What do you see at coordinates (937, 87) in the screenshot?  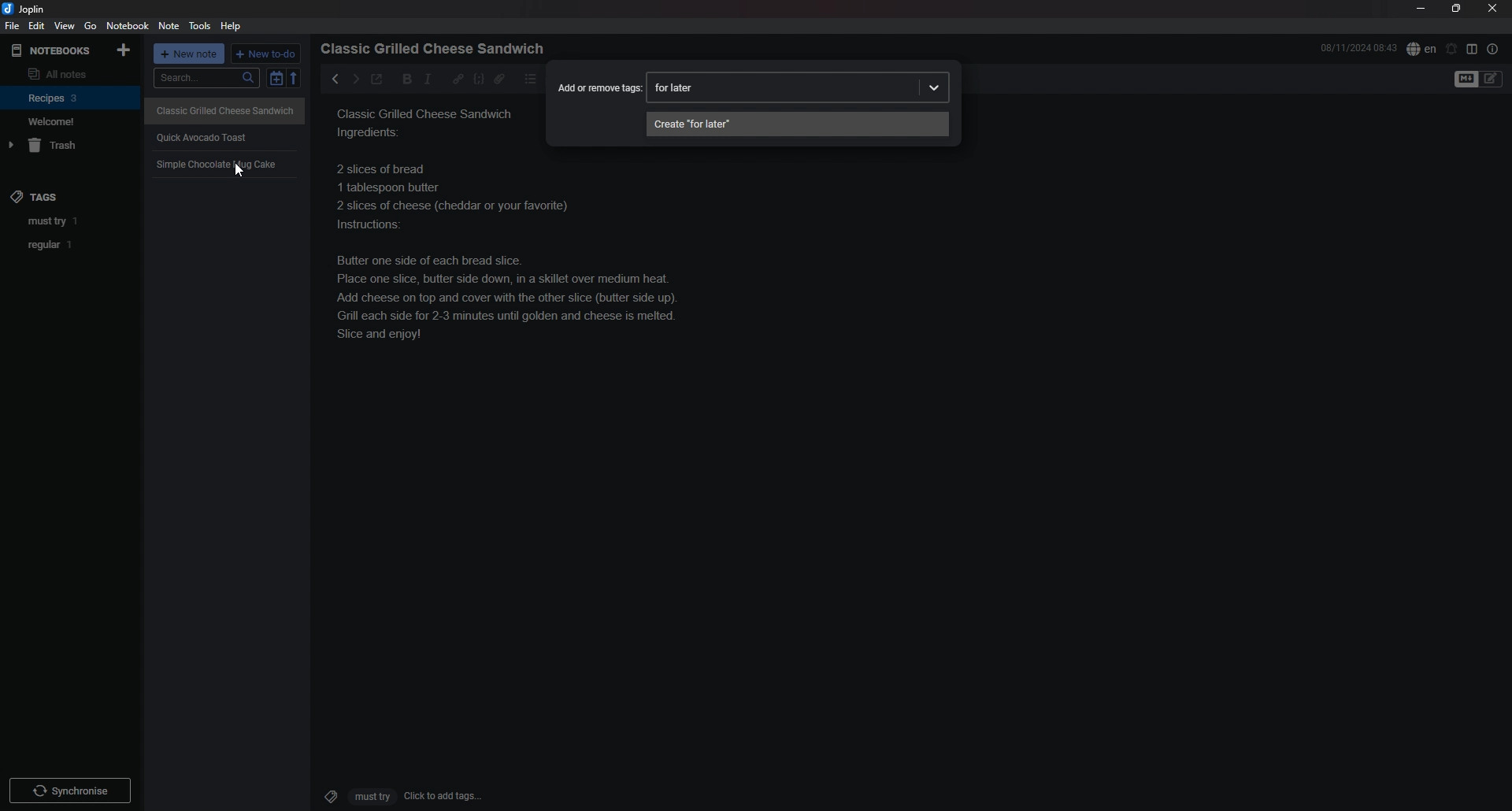 I see `dropdown` at bounding box center [937, 87].